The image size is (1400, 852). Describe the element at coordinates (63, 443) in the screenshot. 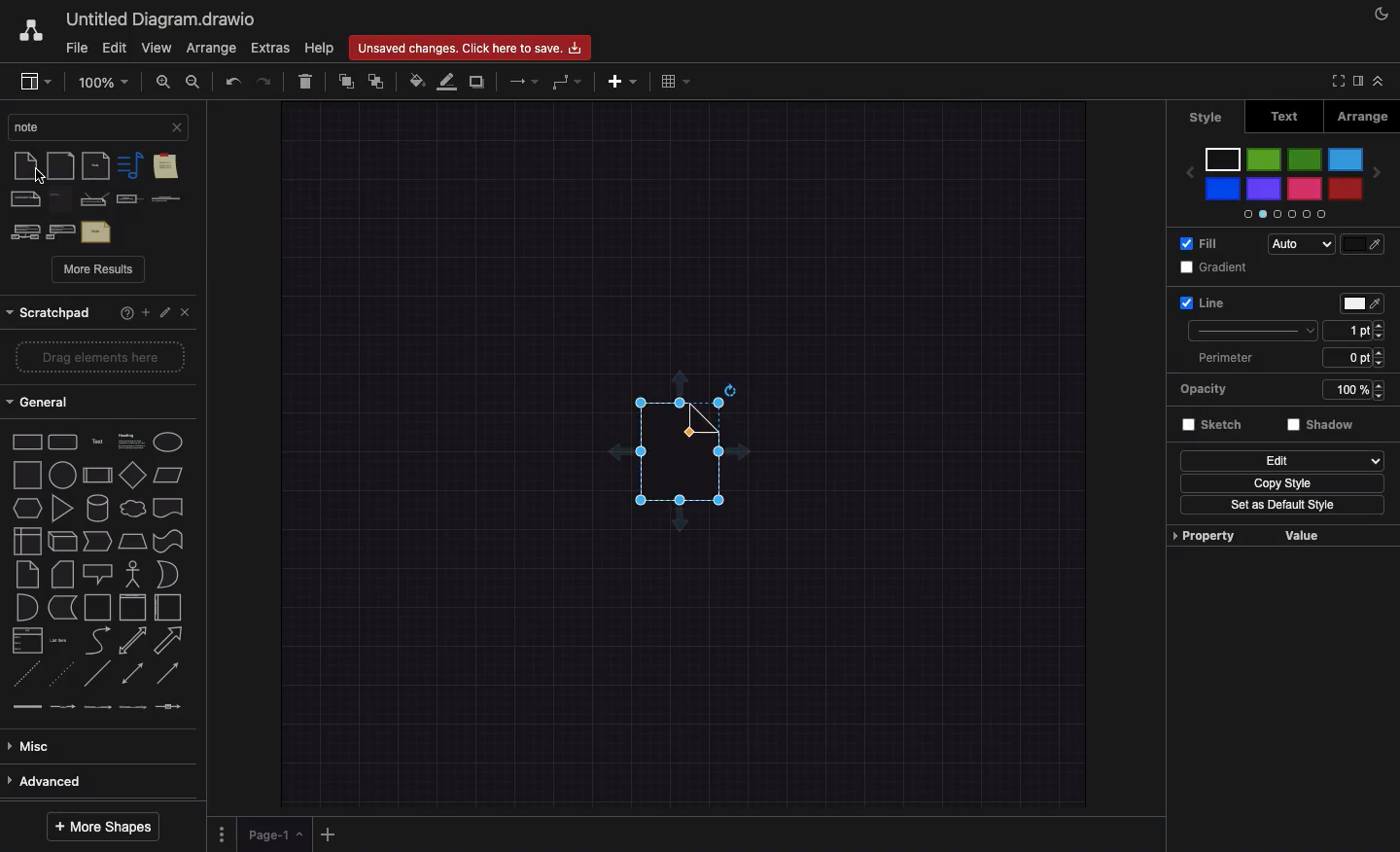

I see `rounded rectangle` at that location.